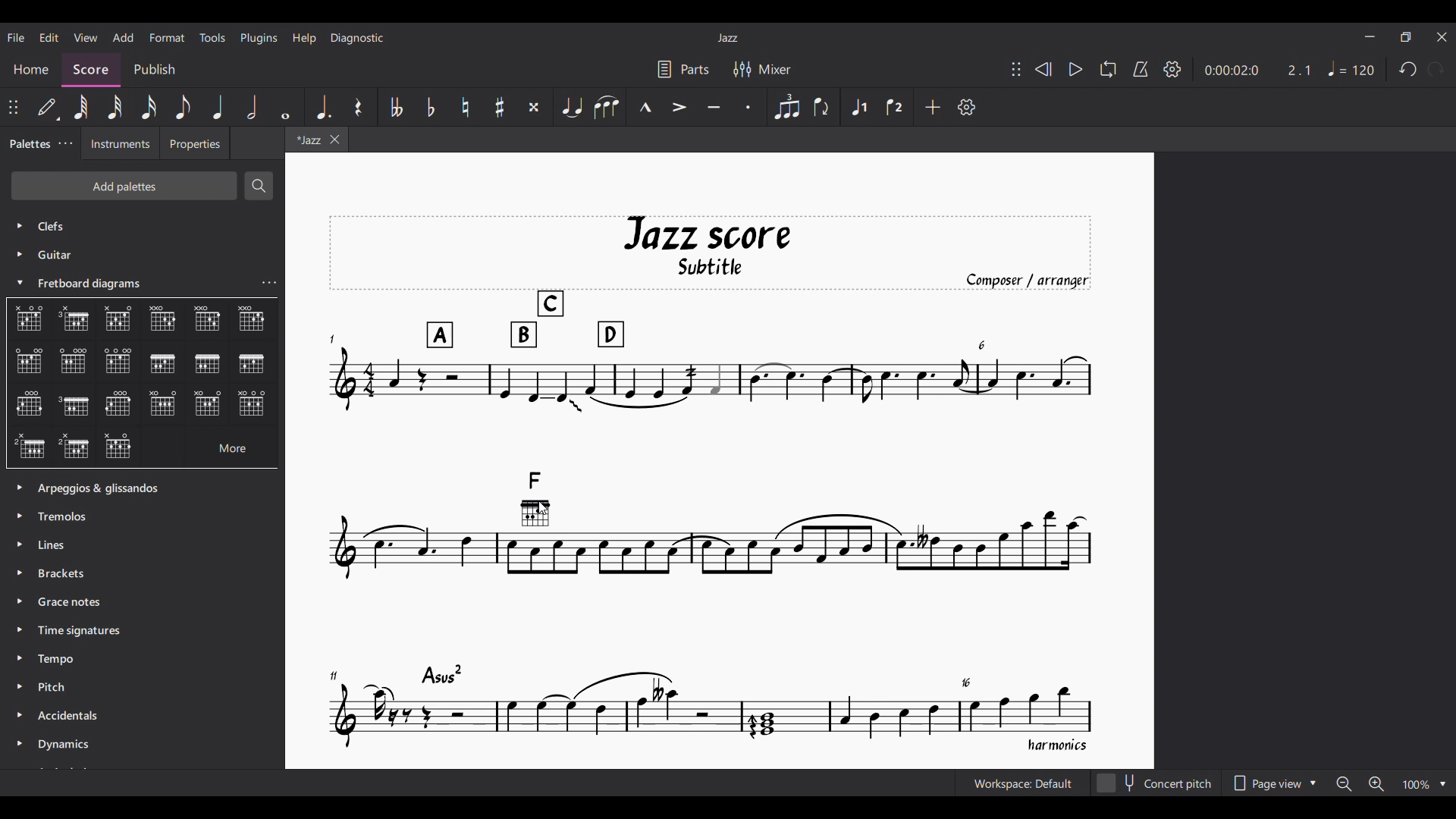 The image size is (1456, 819). Describe the element at coordinates (119, 405) in the screenshot. I see `Chart 14` at that location.